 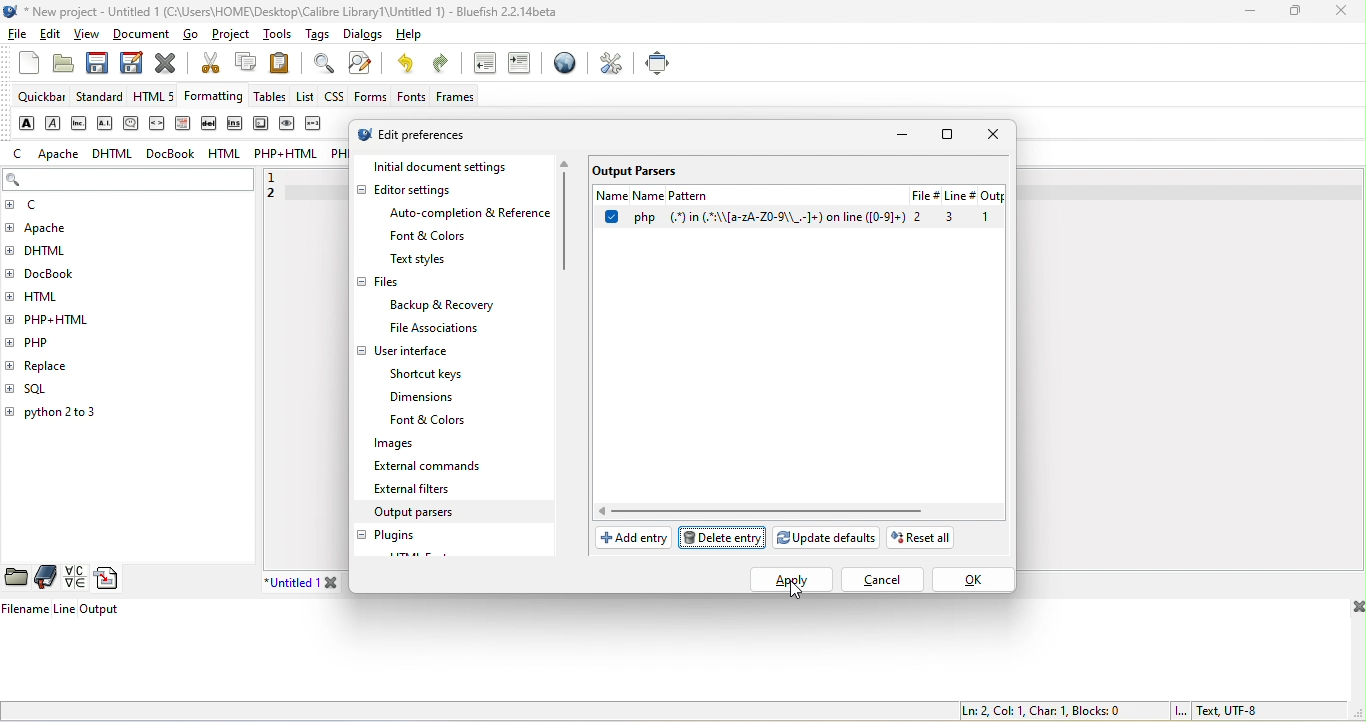 I want to click on font & colors, so click(x=432, y=237).